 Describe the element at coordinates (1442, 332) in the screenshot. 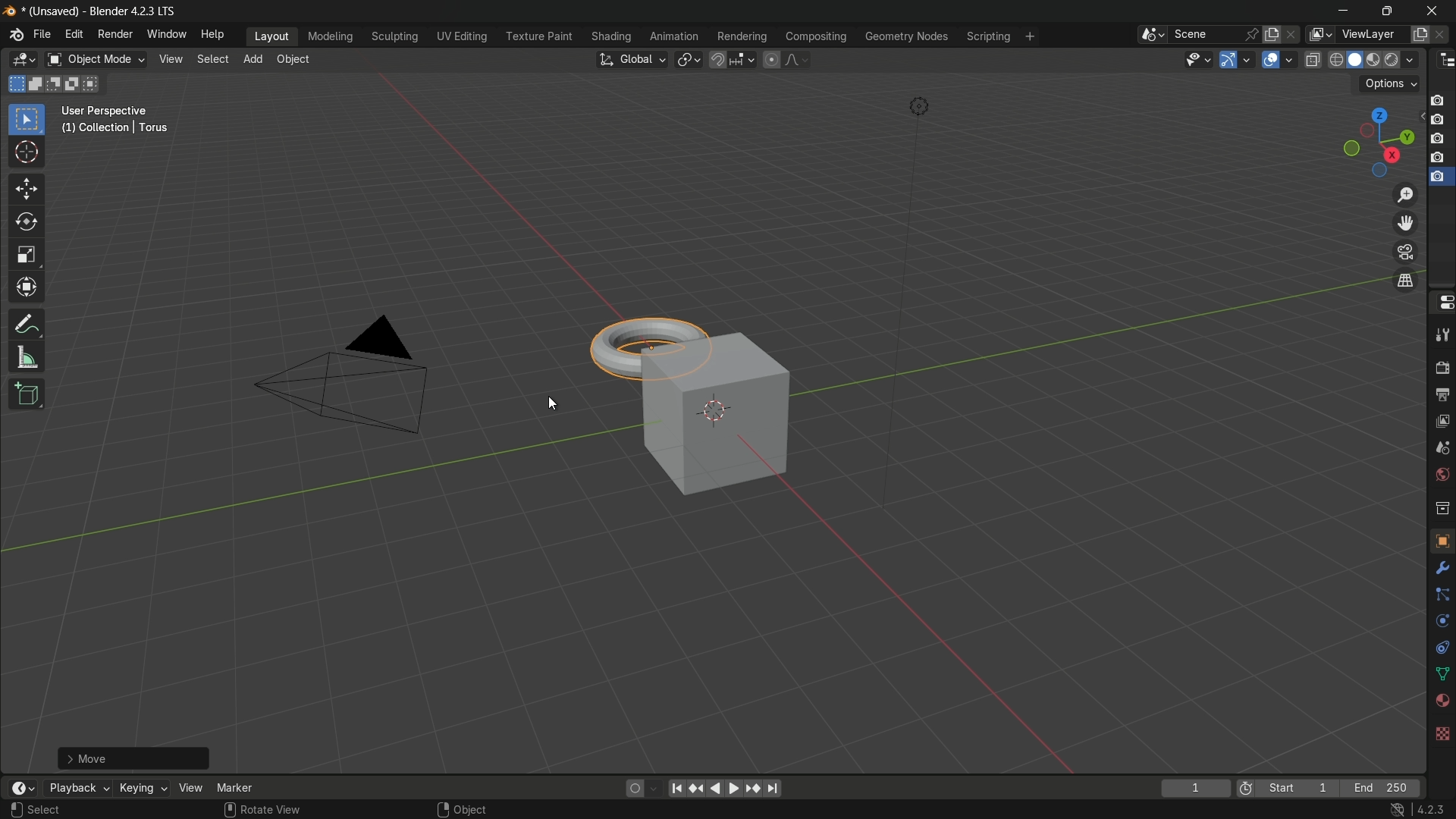

I see `tools` at that location.